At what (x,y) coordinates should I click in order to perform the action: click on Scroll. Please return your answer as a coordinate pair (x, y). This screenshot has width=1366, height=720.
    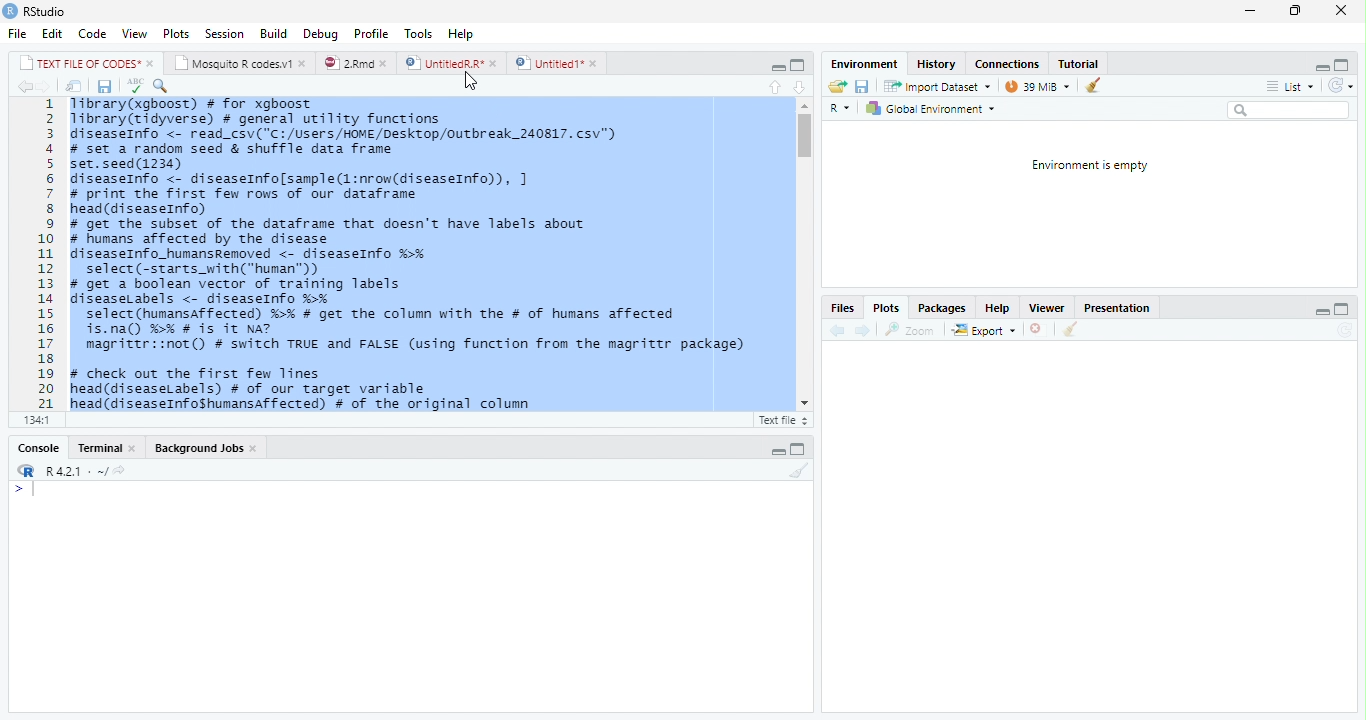
    Looking at the image, I should click on (804, 254).